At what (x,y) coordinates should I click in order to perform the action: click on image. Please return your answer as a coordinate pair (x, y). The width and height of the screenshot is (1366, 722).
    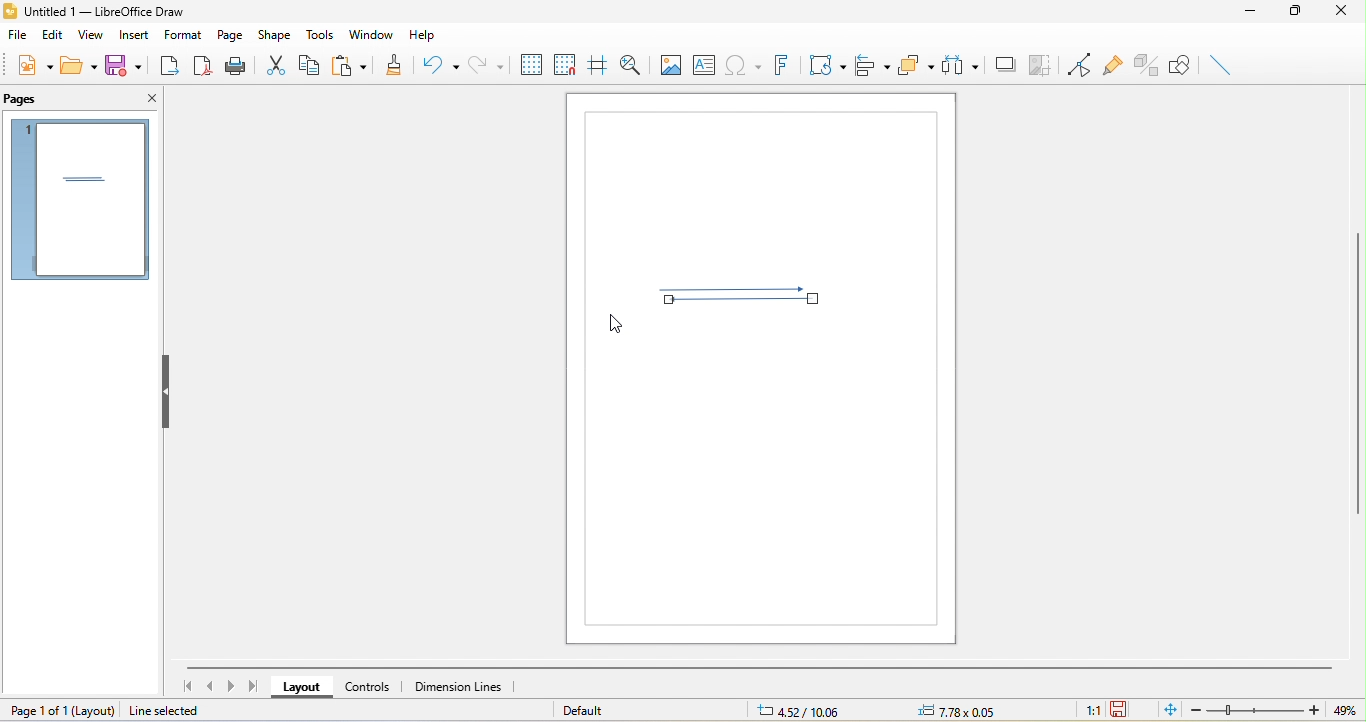
    Looking at the image, I should click on (669, 63).